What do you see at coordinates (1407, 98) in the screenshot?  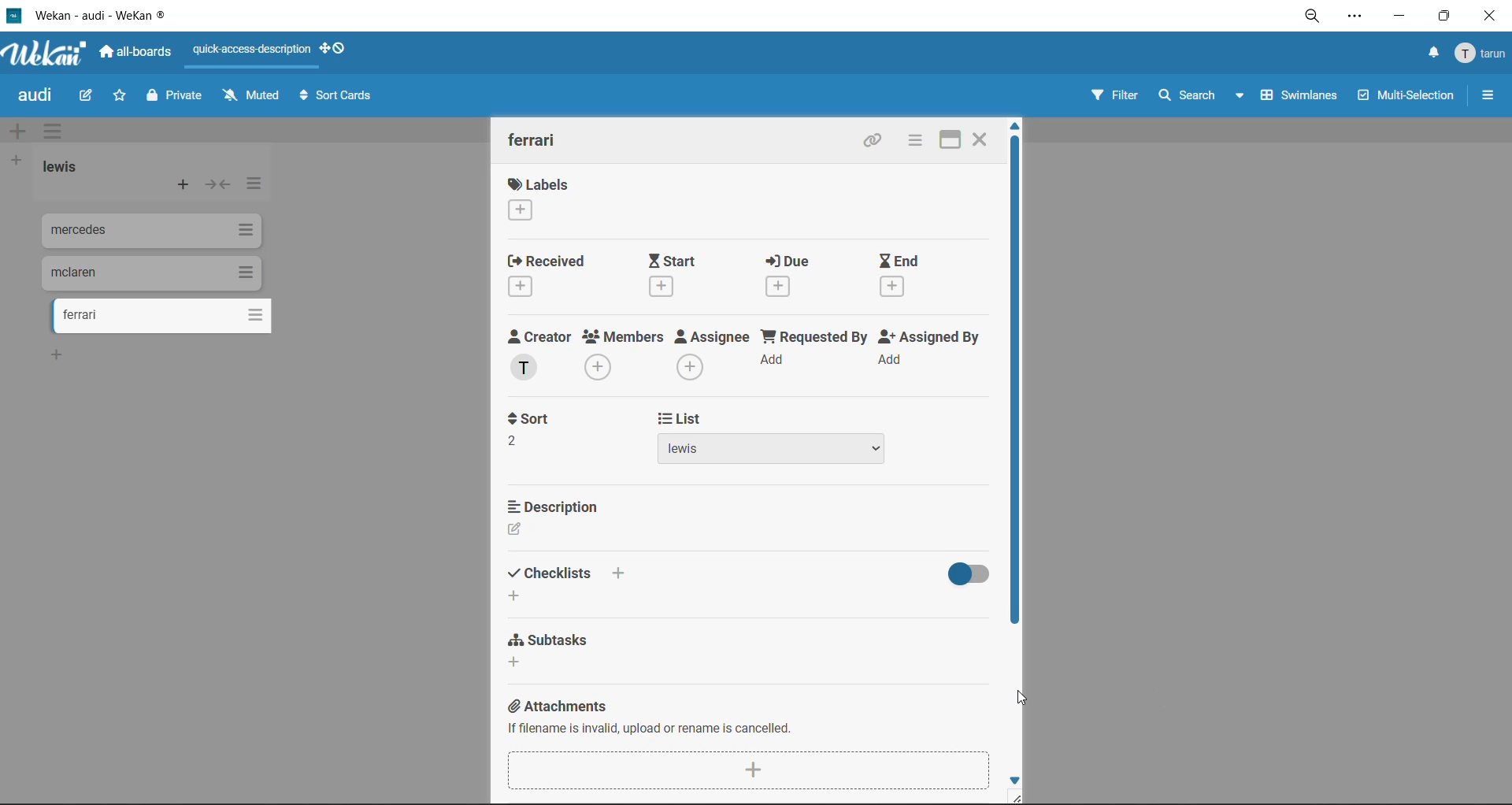 I see `multiselection` at bounding box center [1407, 98].